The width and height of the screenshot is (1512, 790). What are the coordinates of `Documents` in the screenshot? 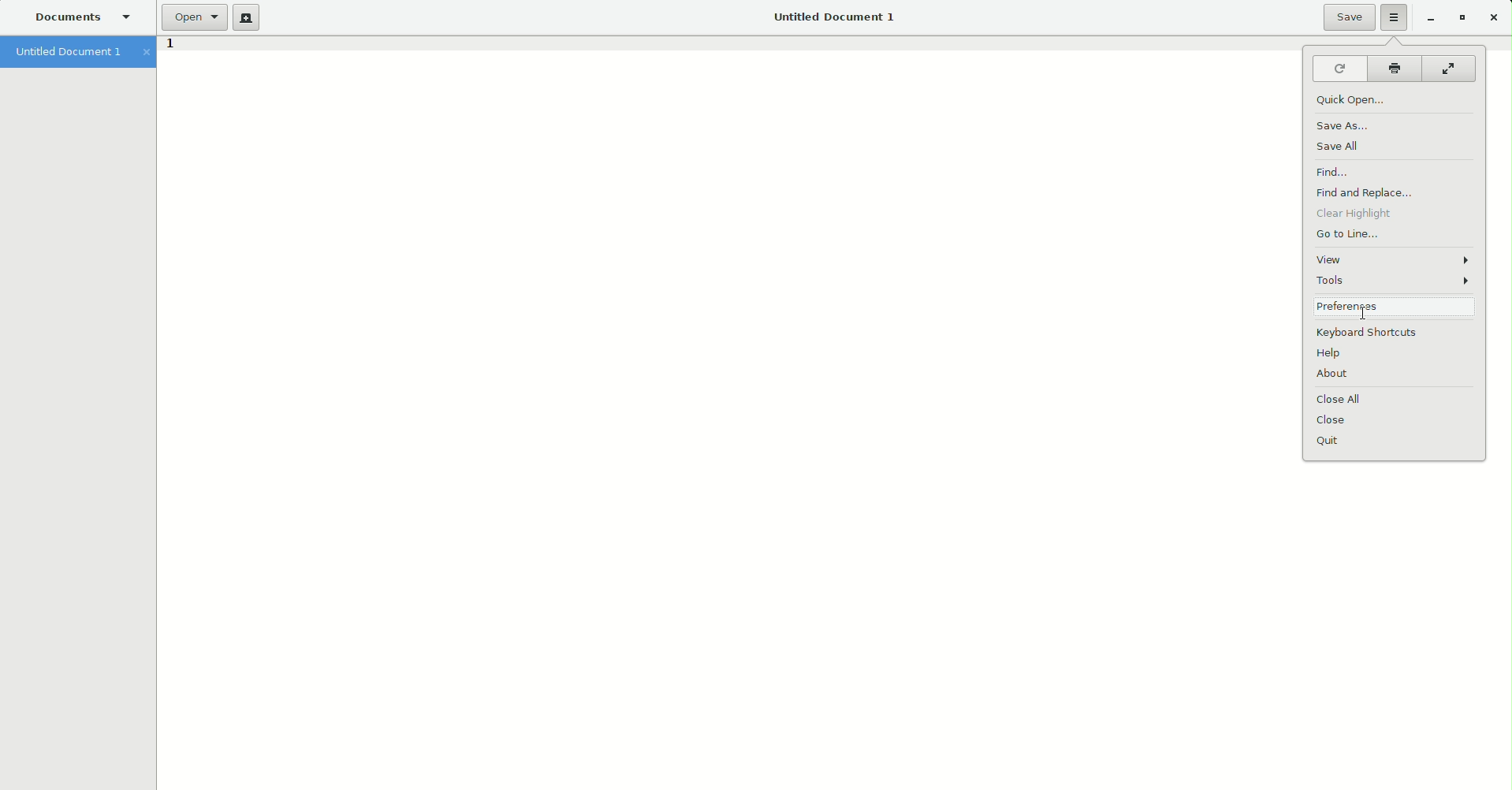 It's located at (84, 17).